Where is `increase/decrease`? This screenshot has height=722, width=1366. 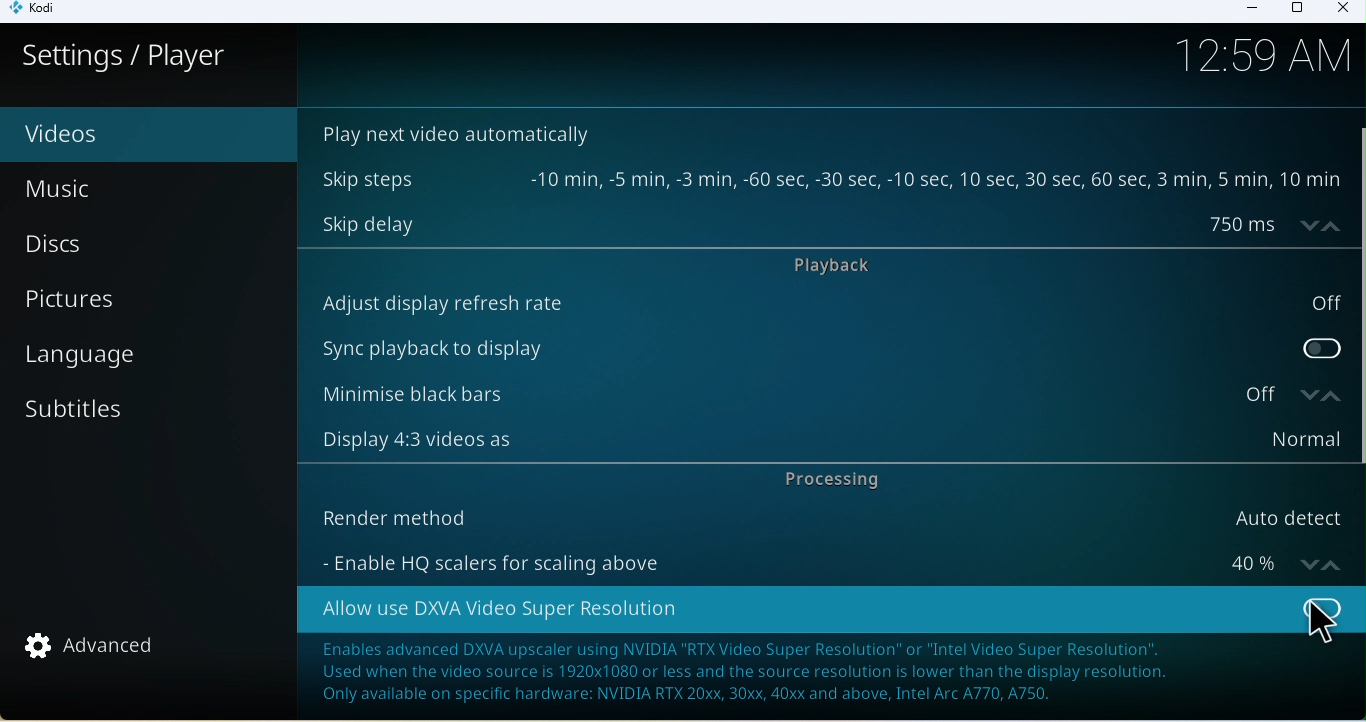 increase/decrease is located at coordinates (1325, 561).